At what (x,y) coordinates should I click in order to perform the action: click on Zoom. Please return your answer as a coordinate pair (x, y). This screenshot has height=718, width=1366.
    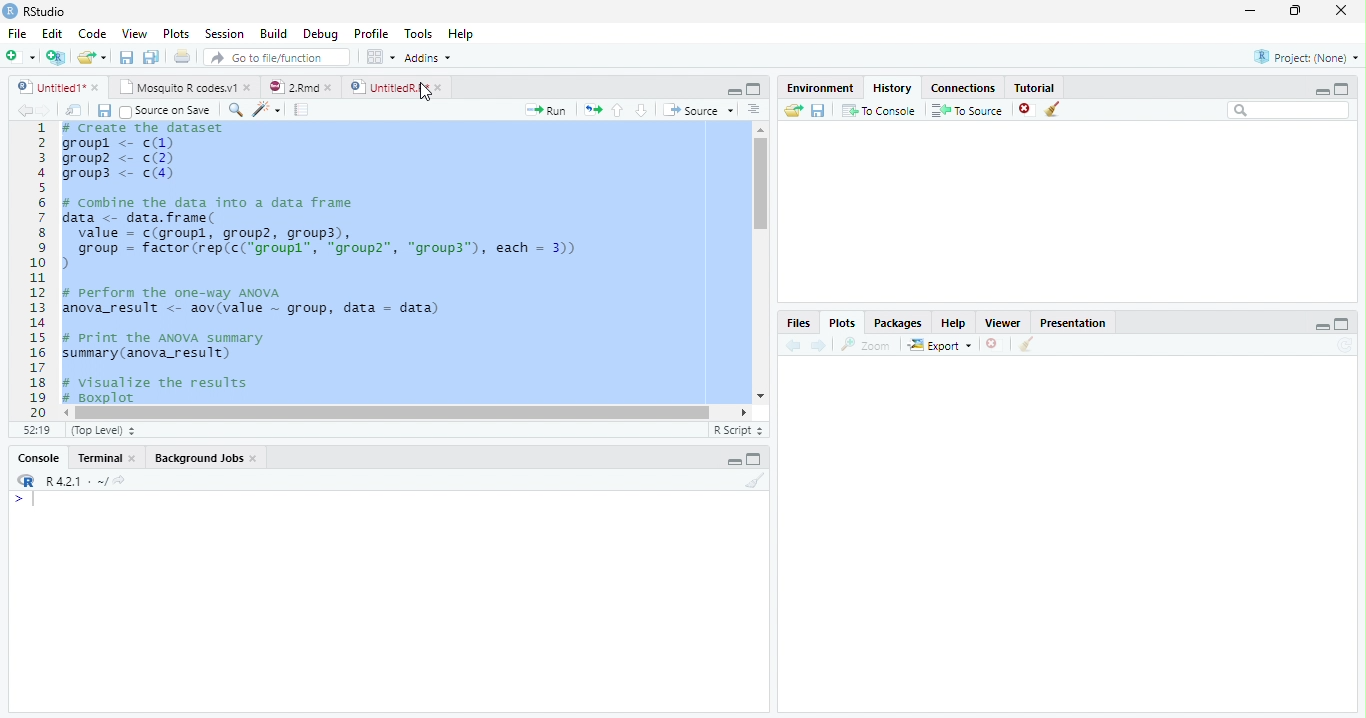
    Looking at the image, I should click on (867, 345).